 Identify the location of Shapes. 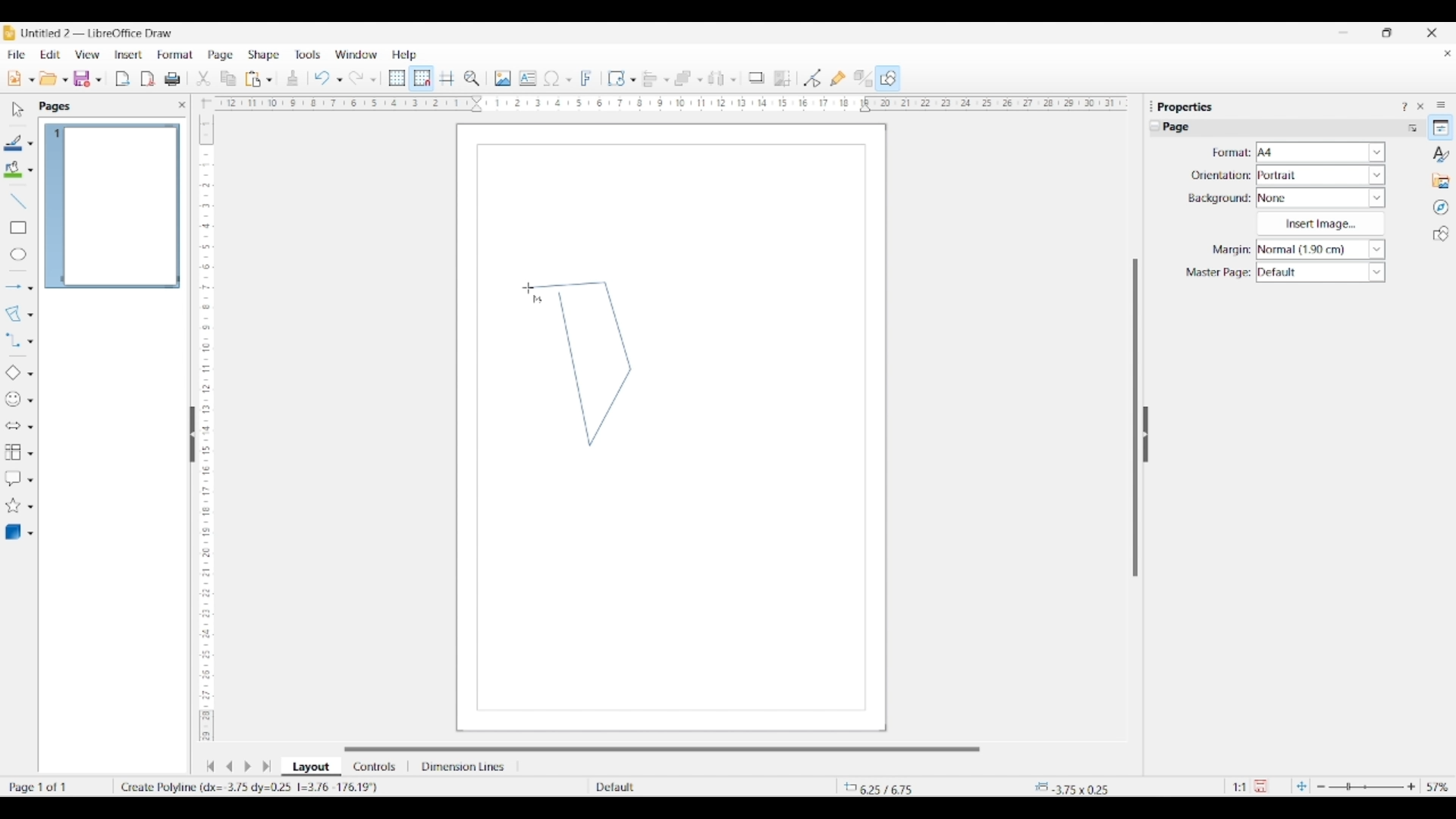
(1441, 234).